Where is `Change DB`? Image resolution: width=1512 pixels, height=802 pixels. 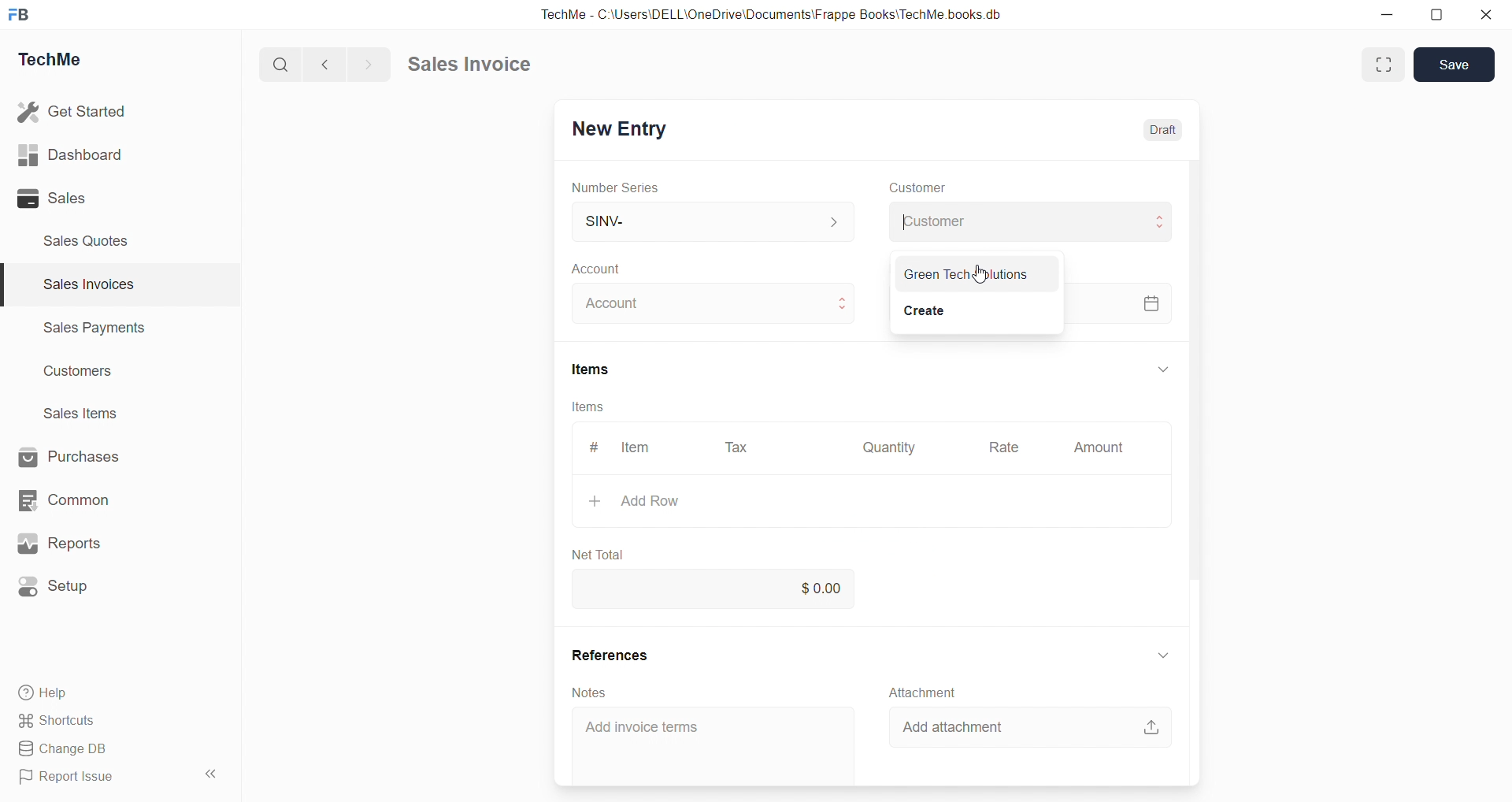 Change DB is located at coordinates (69, 749).